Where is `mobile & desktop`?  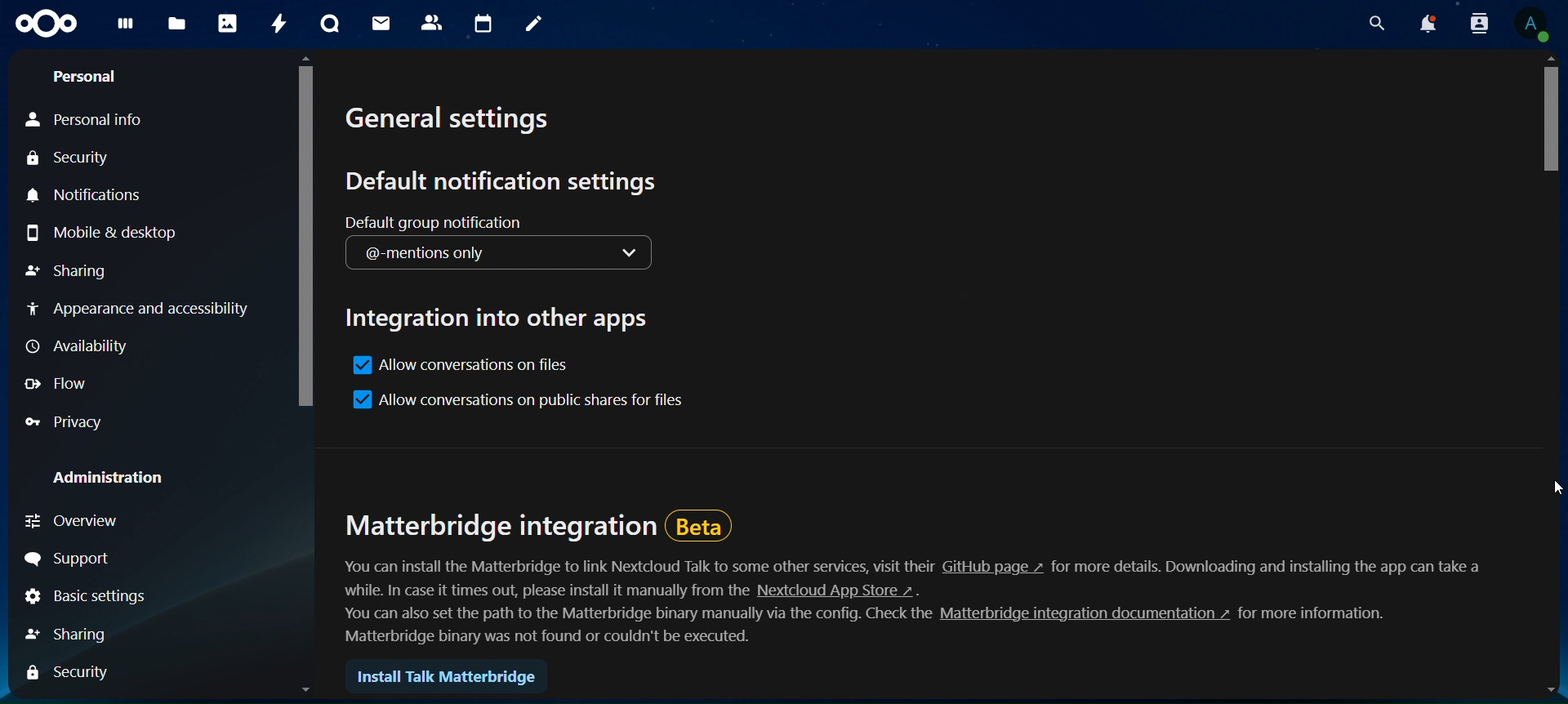
mobile & desktop is located at coordinates (102, 234).